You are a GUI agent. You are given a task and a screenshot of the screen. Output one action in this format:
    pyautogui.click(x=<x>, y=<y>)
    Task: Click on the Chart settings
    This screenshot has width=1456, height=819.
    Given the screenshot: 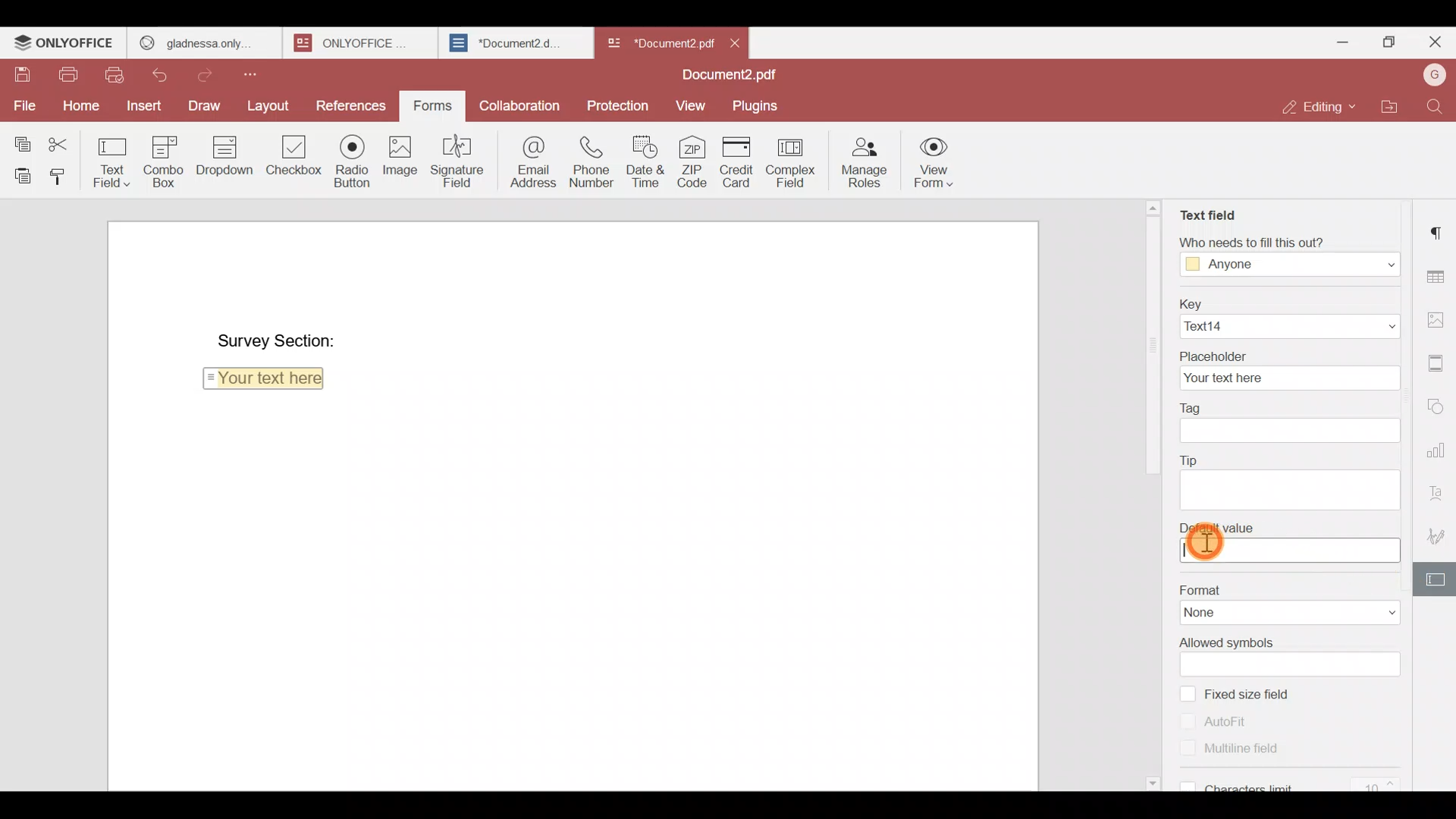 What is the action you would take?
    pyautogui.click(x=1438, y=450)
    